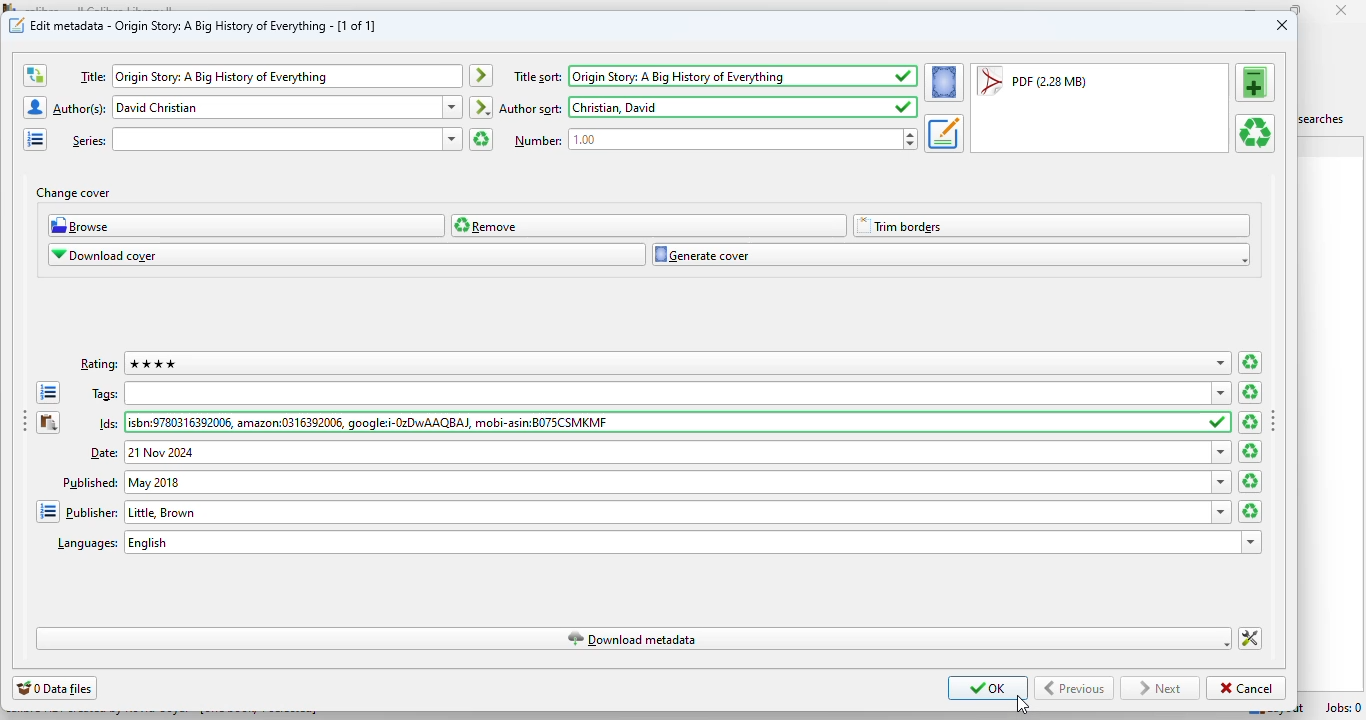 The image size is (1366, 720). Describe the element at coordinates (539, 141) in the screenshot. I see `text` at that location.